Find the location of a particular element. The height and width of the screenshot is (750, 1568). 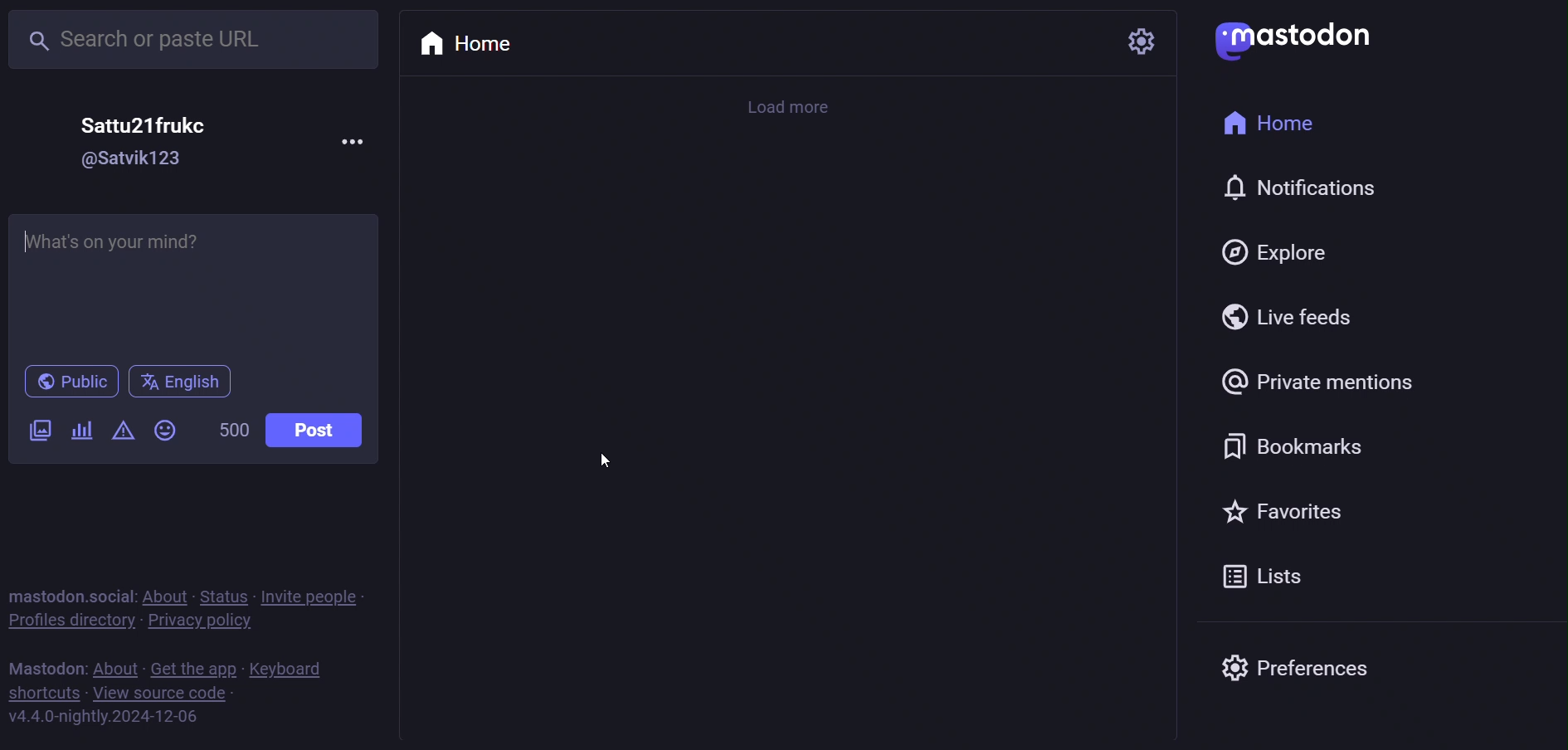

favorite is located at coordinates (1286, 514).